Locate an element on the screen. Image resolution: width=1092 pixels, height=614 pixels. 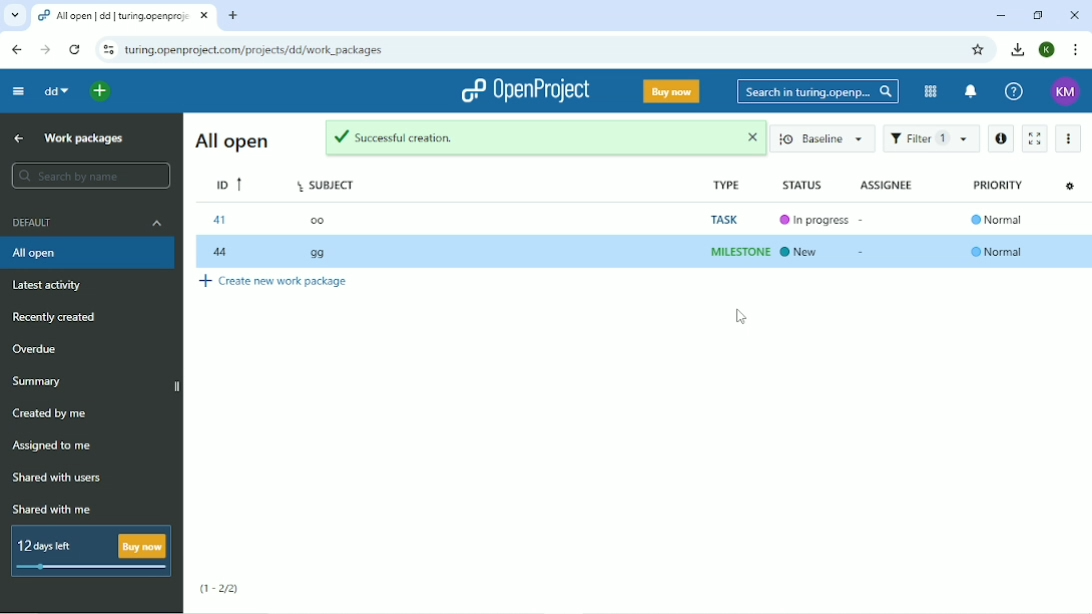
44 is located at coordinates (222, 254).